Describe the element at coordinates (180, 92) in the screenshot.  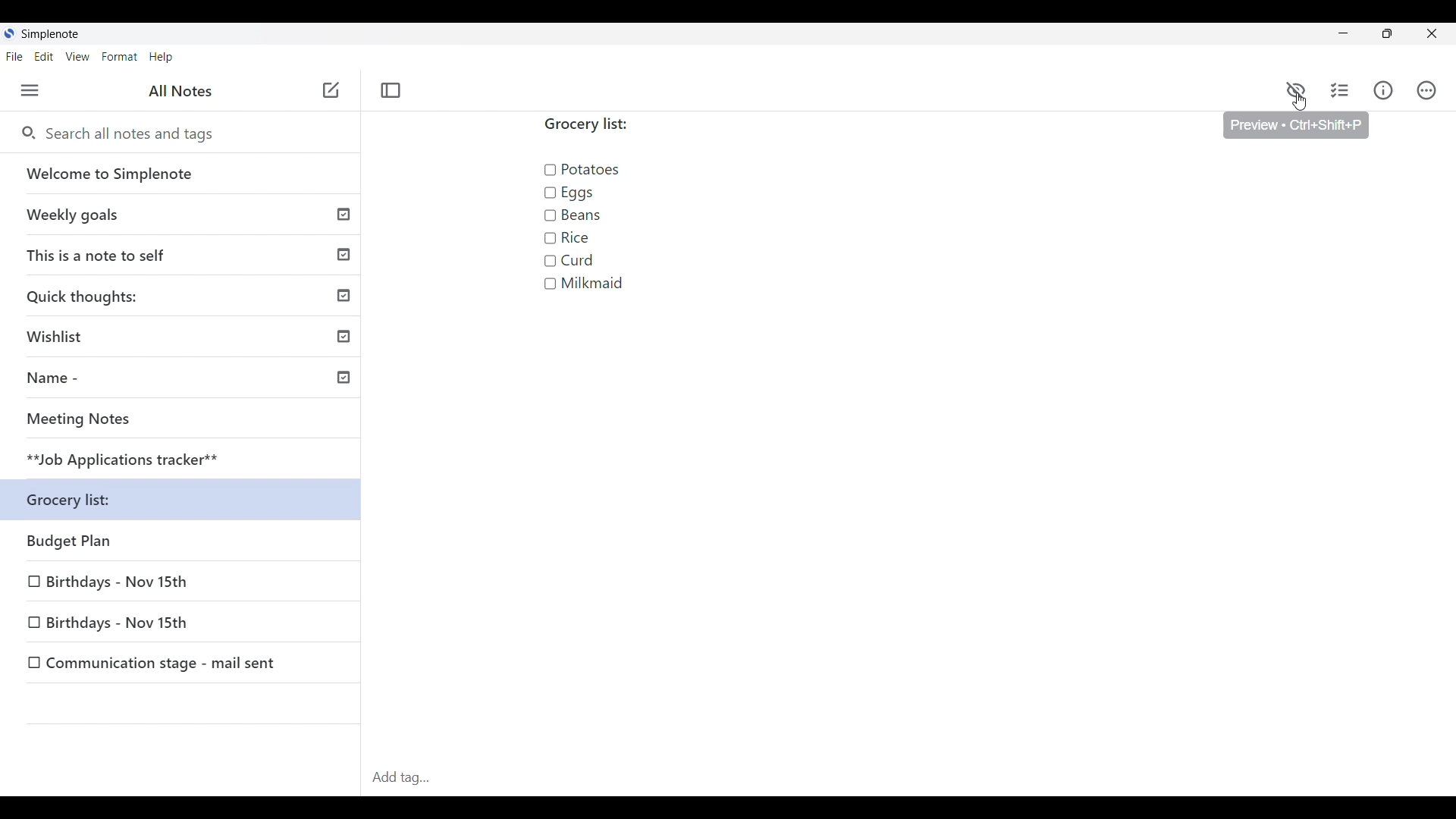
I see `All Notes` at that location.